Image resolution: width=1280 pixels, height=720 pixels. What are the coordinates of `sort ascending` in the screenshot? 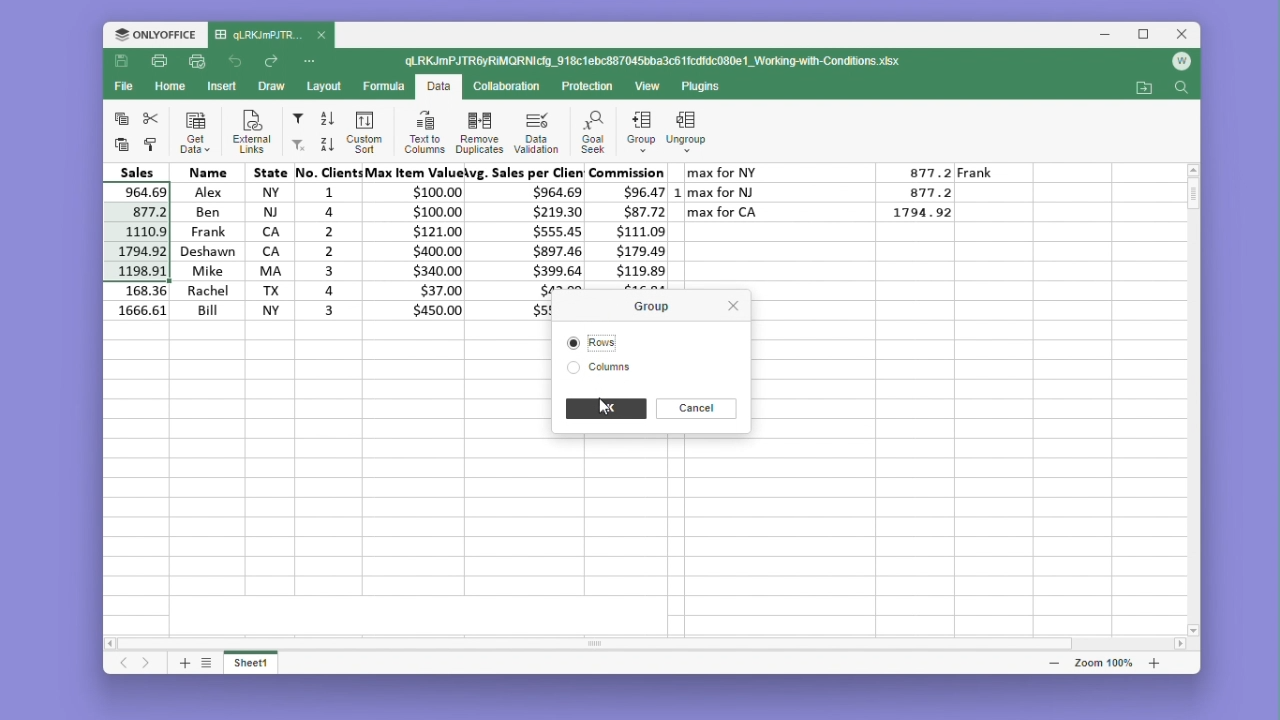 It's located at (328, 119).